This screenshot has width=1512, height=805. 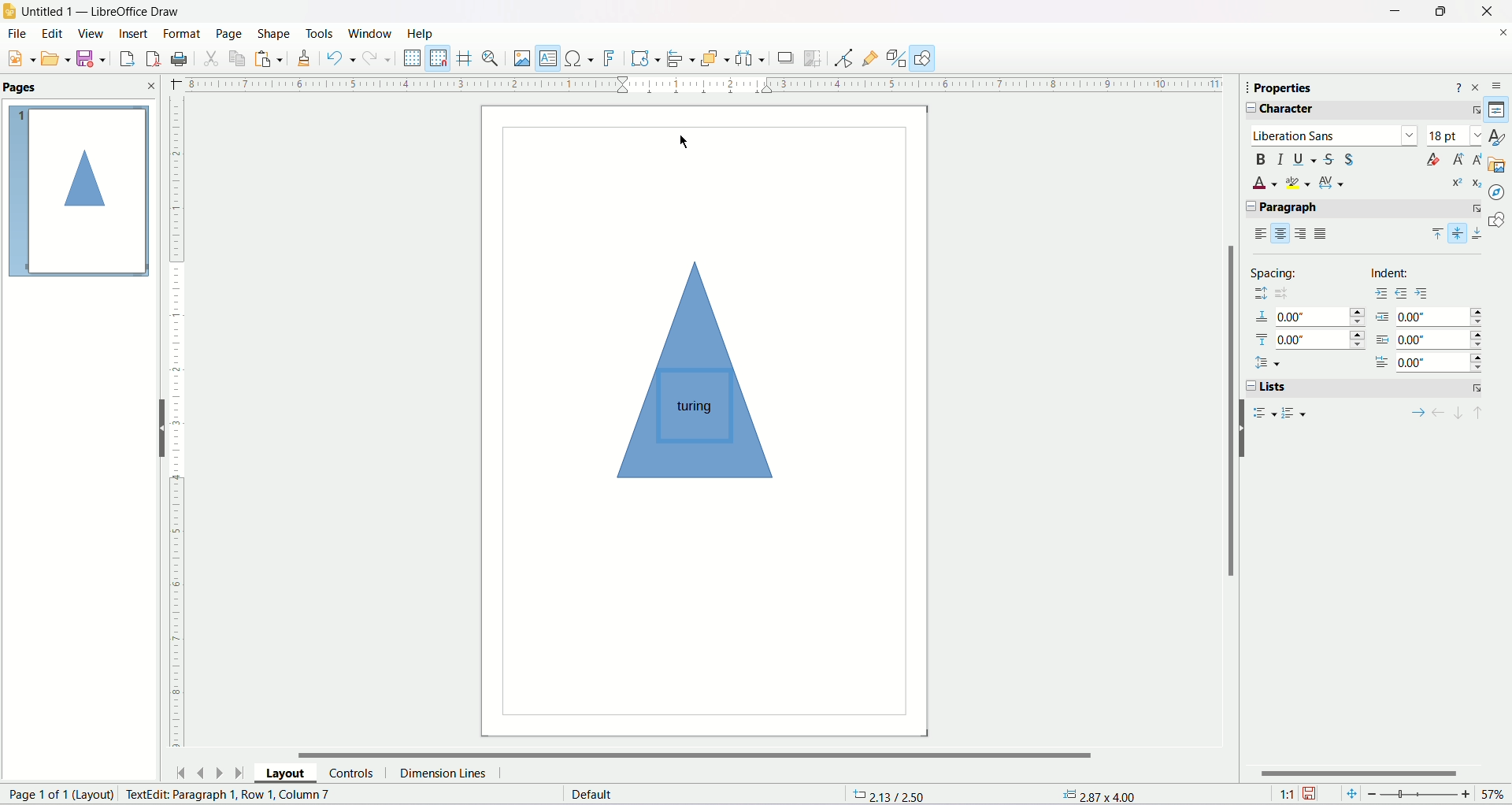 I want to click on Toggle Extrusion, so click(x=897, y=57).